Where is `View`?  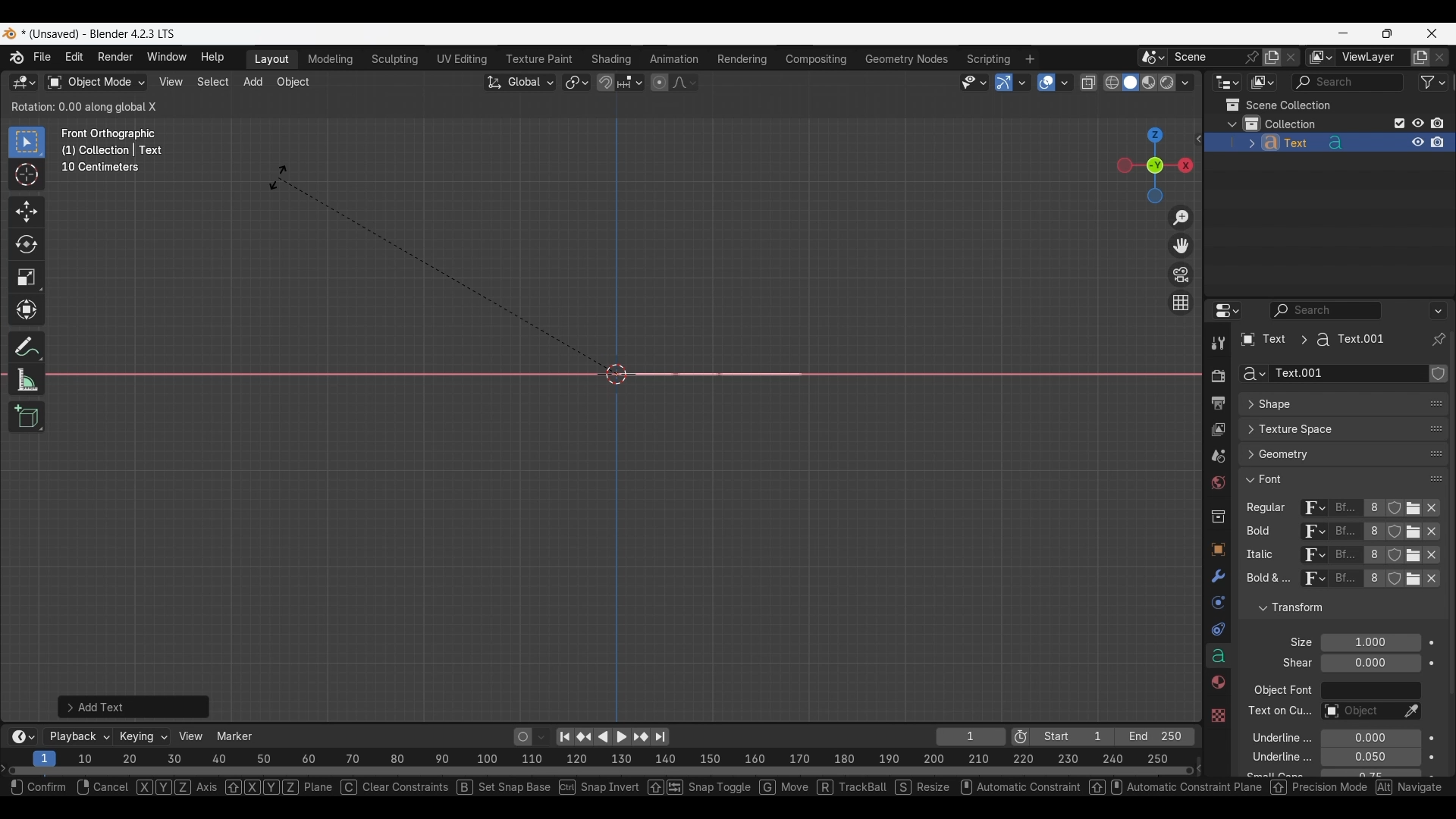
View is located at coordinates (191, 736).